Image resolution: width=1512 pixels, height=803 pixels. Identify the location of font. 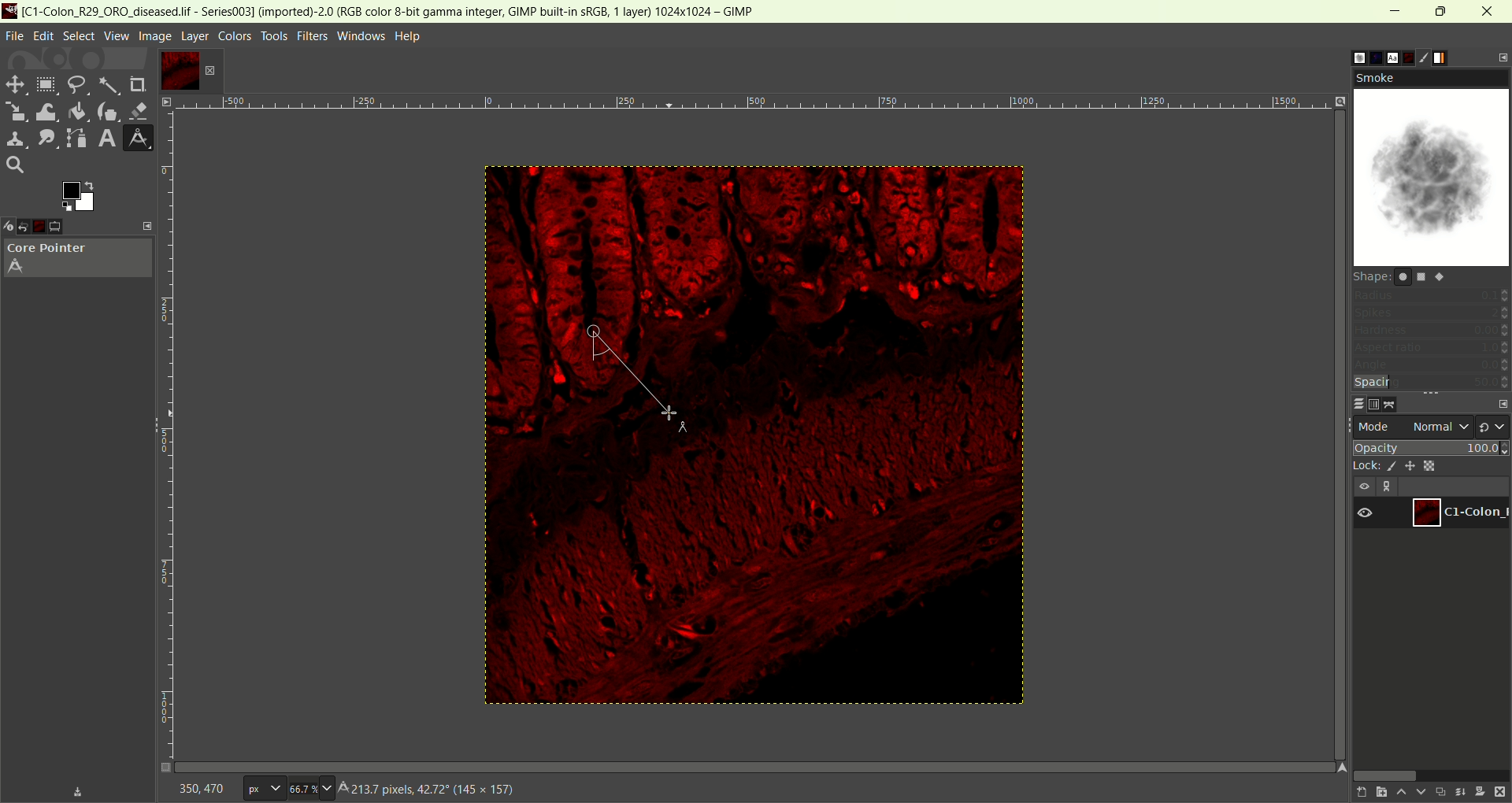
(1385, 57).